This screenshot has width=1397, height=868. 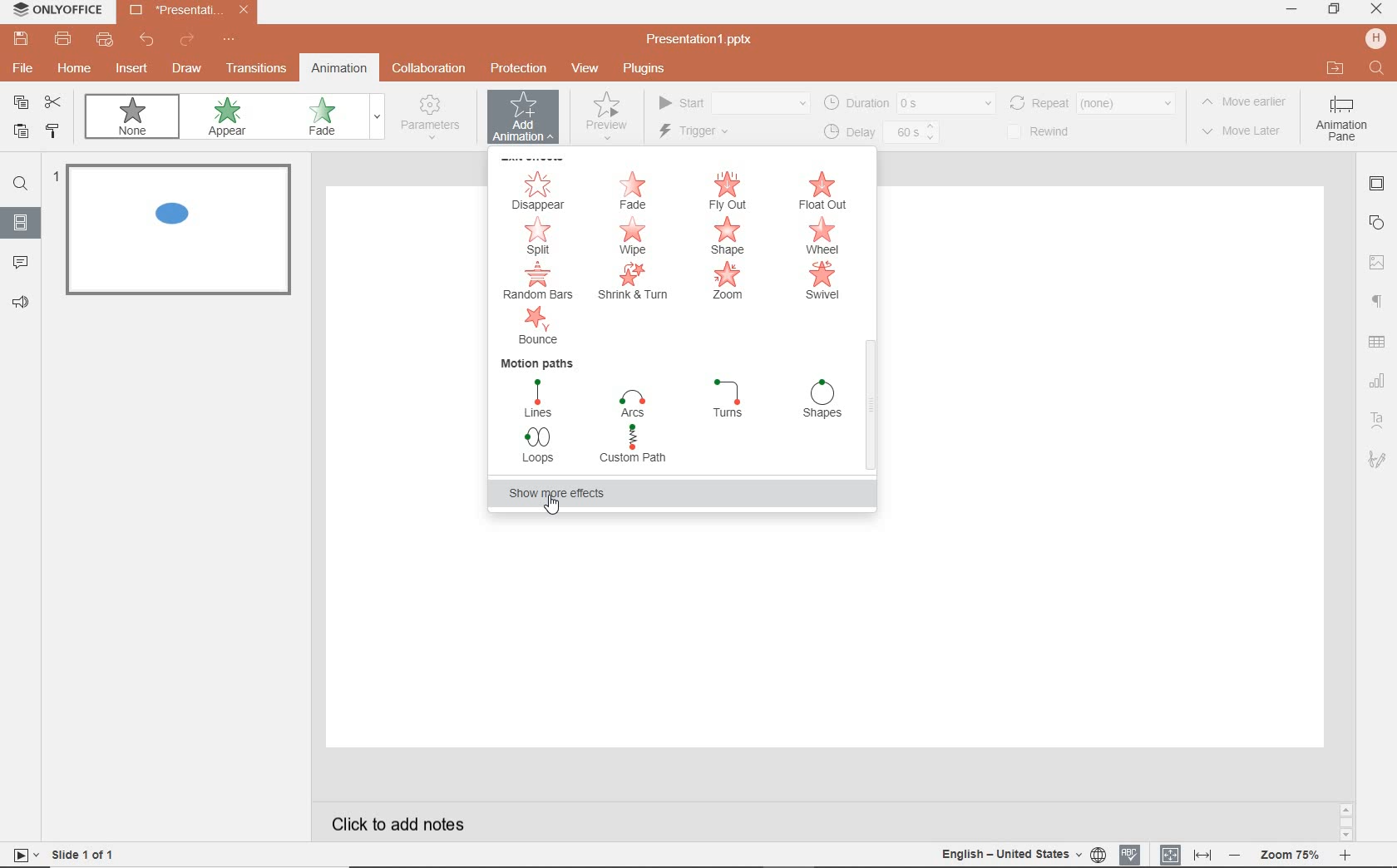 What do you see at coordinates (1128, 854) in the screenshot?
I see `spell checking` at bounding box center [1128, 854].